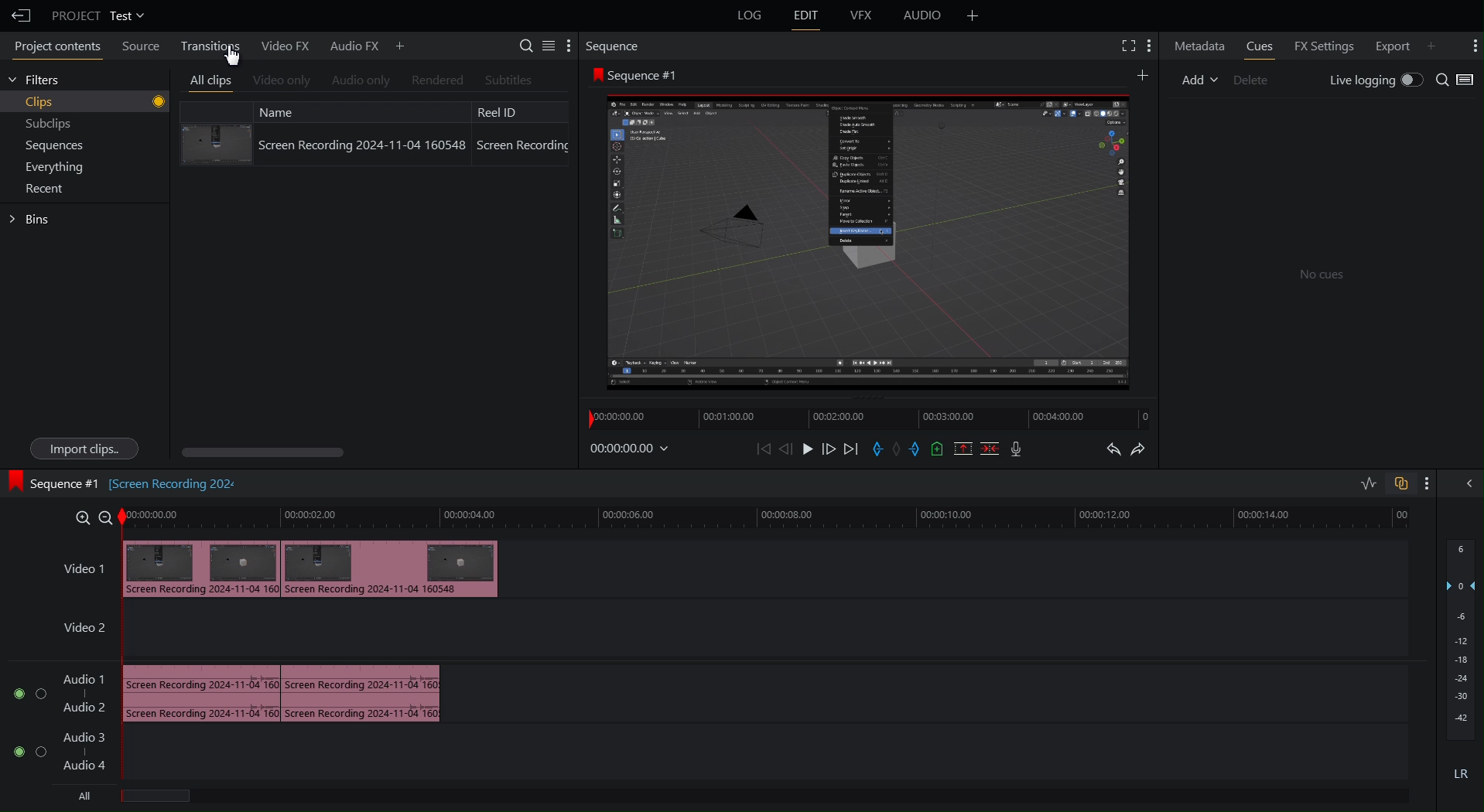 The height and width of the screenshot is (812, 1484). I want to click on Preview, so click(867, 241).